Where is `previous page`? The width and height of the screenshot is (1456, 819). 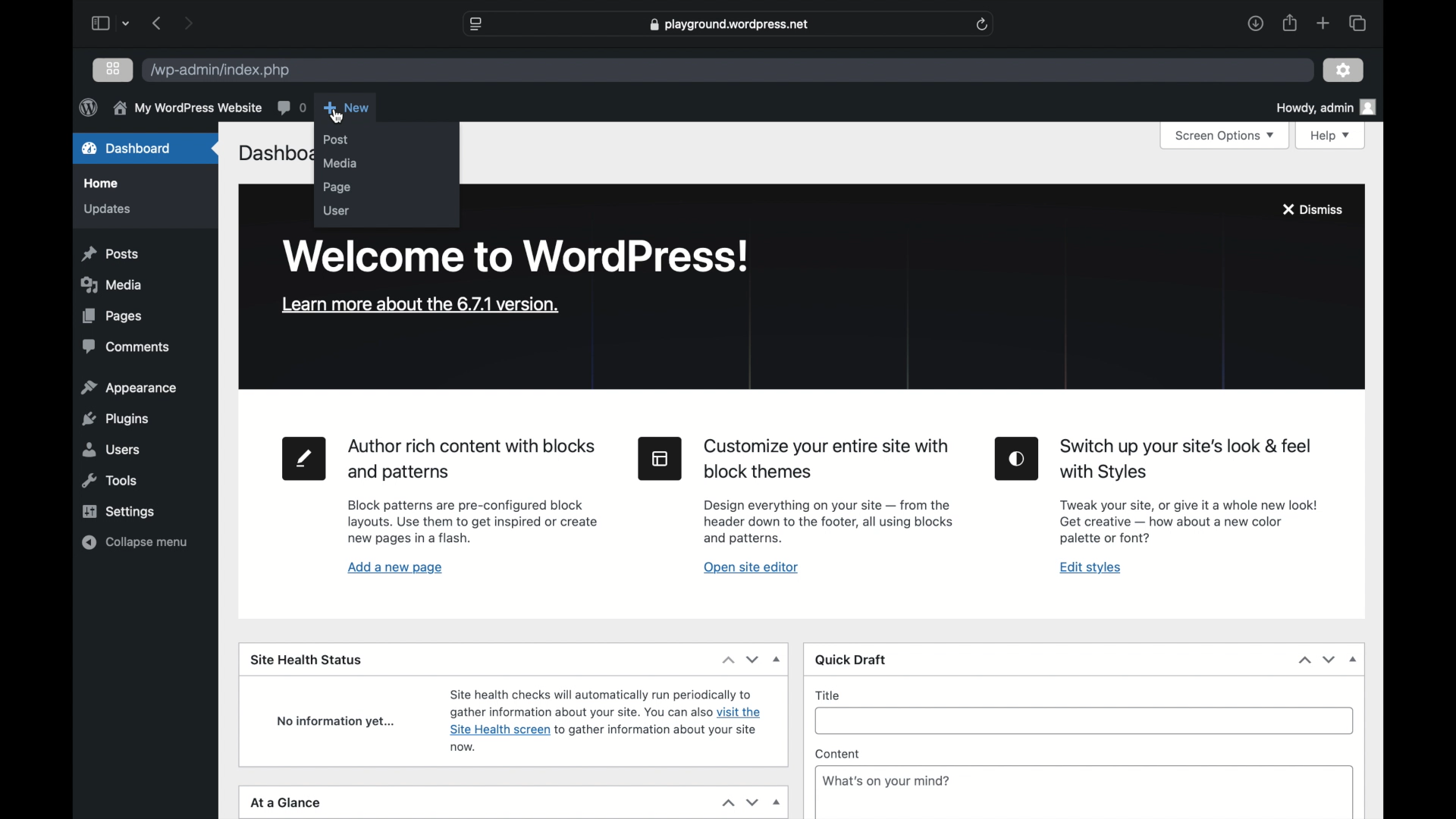 previous page is located at coordinates (158, 23).